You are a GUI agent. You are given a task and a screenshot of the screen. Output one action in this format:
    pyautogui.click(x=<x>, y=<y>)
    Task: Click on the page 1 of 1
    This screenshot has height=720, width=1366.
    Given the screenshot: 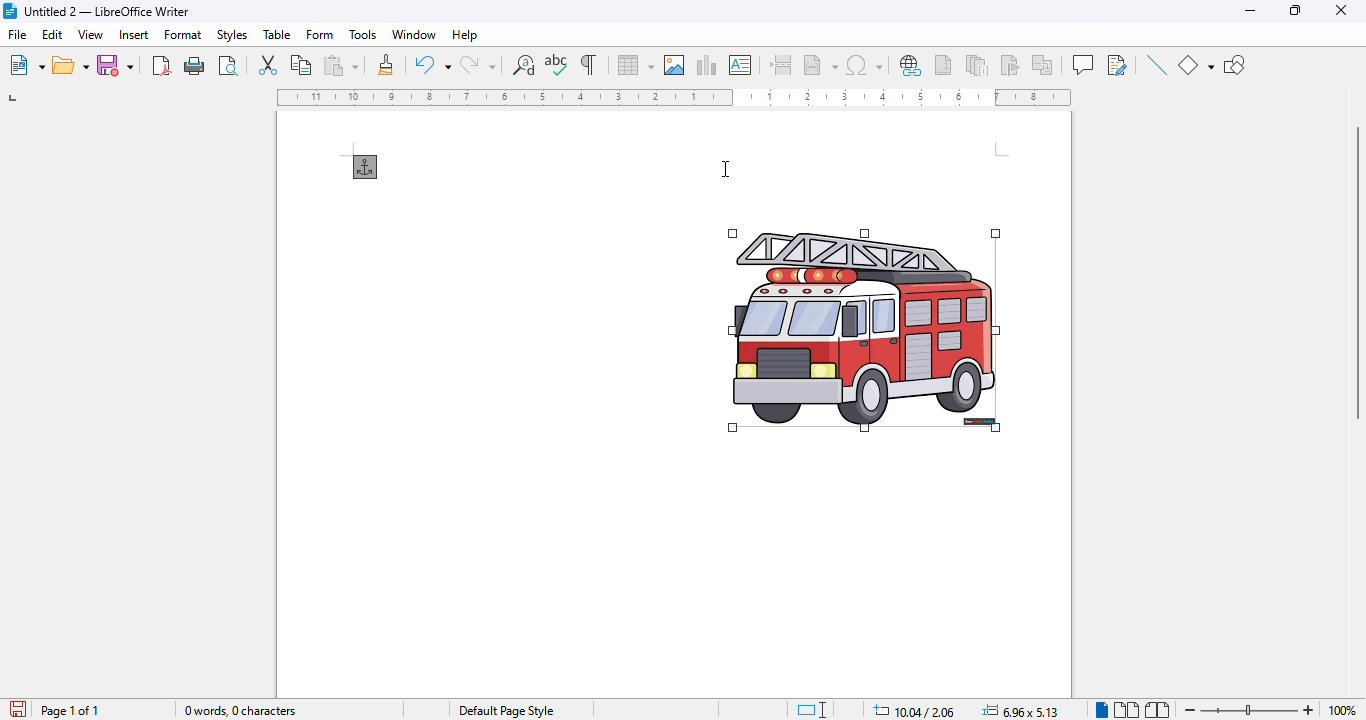 What is the action you would take?
    pyautogui.click(x=69, y=711)
    